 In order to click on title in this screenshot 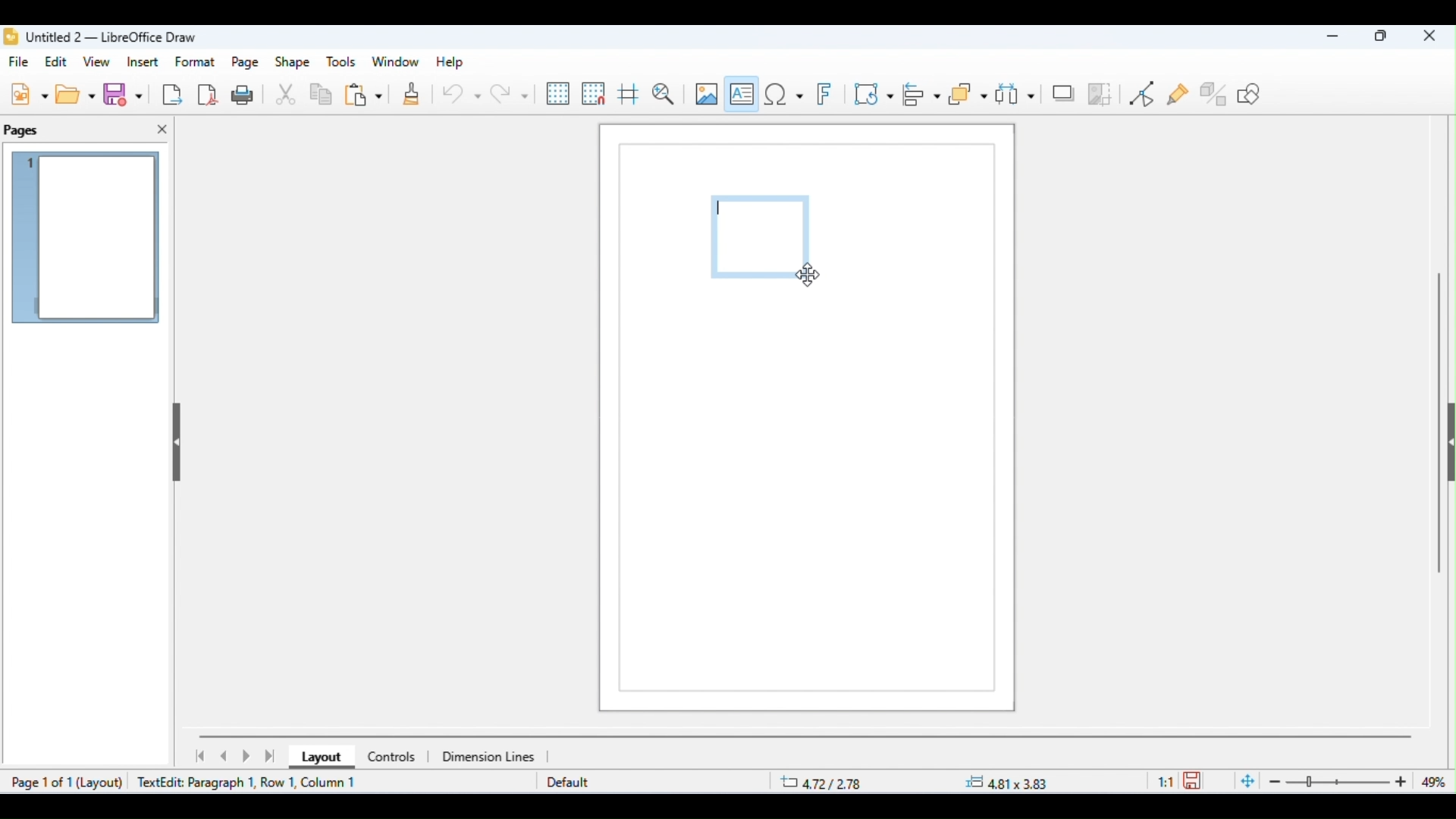, I will do `click(101, 37)`.